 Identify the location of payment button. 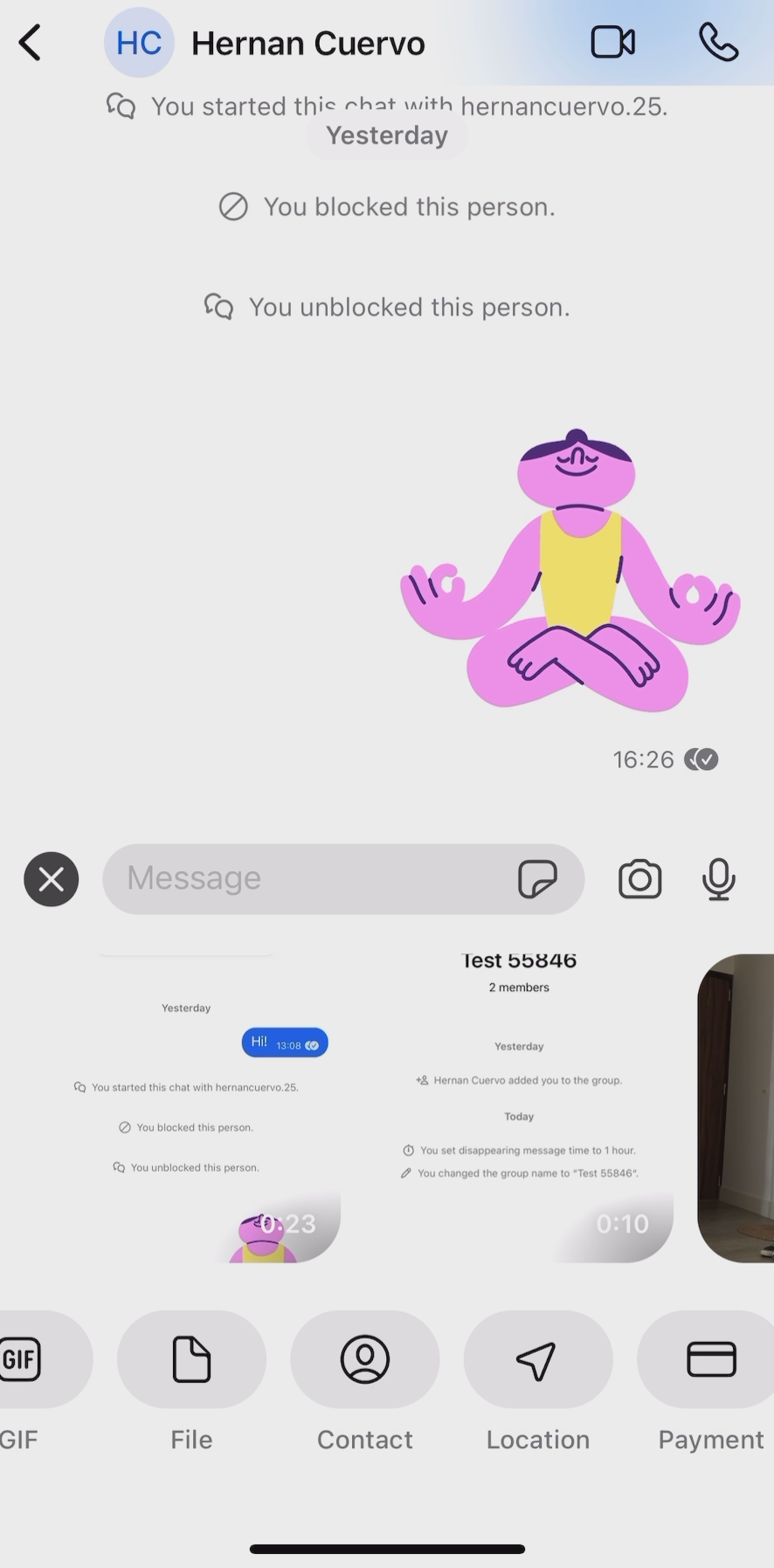
(704, 1388).